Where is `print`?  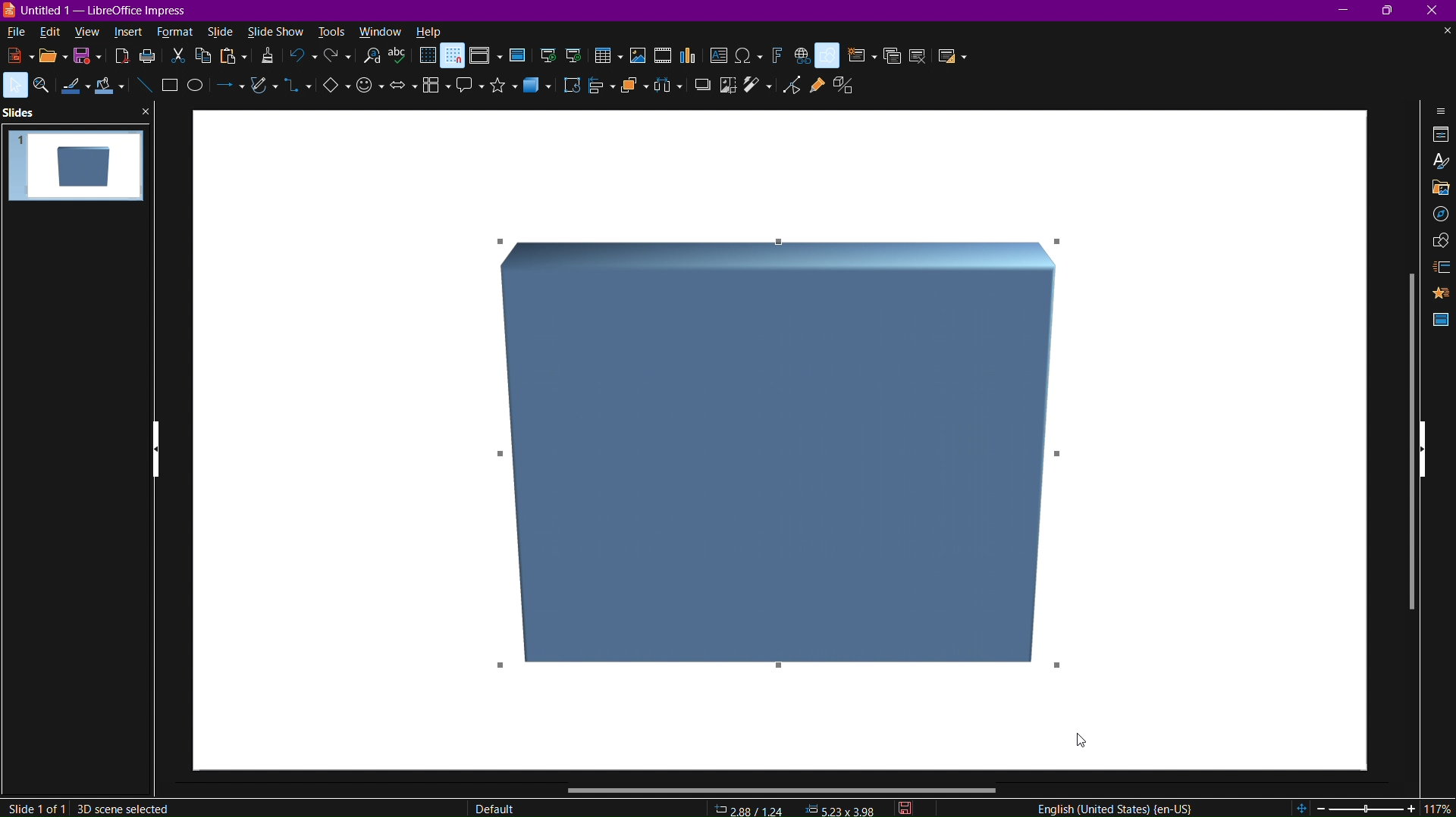
print is located at coordinates (151, 60).